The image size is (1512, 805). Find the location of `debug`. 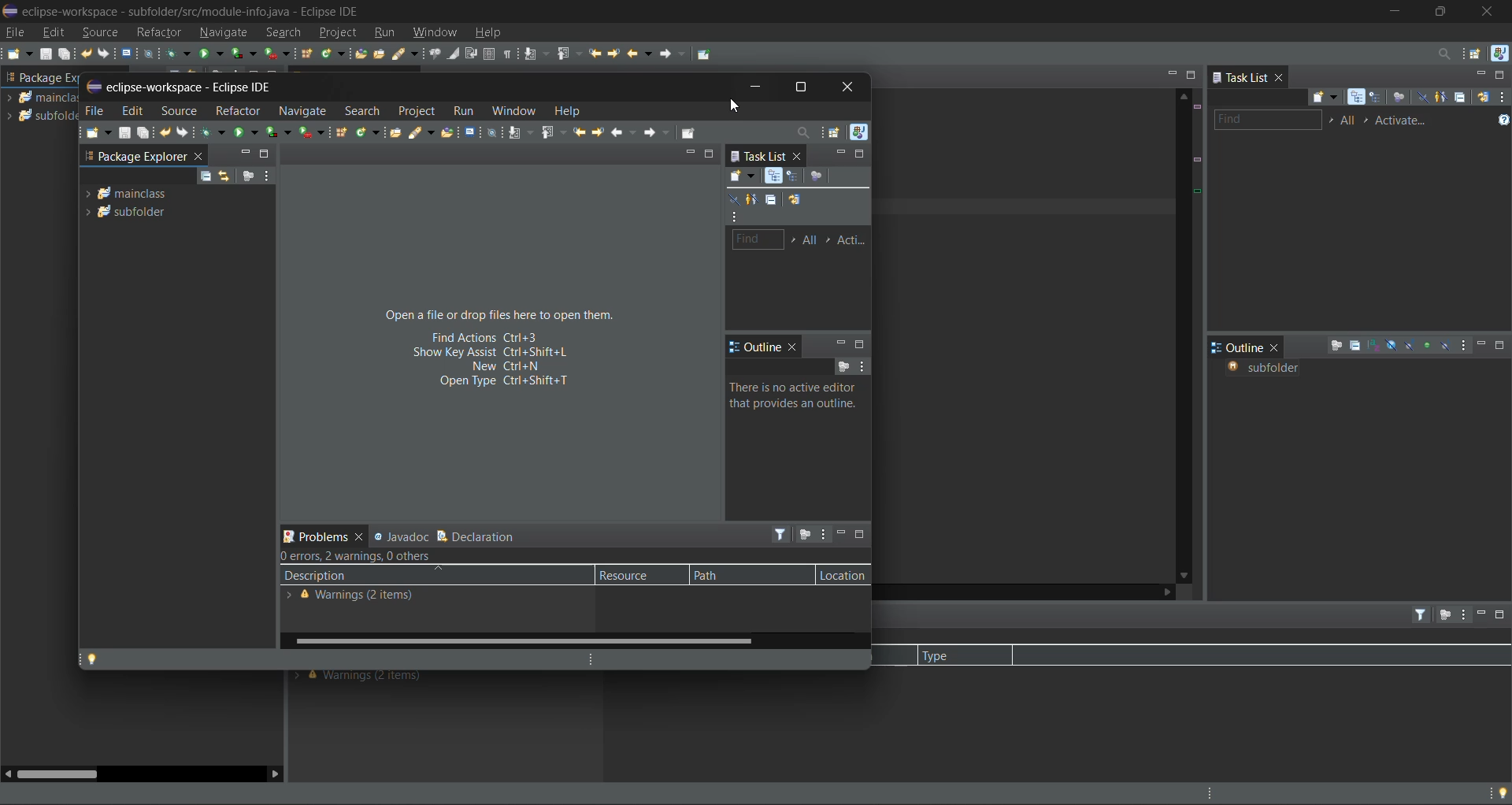

debug is located at coordinates (180, 54).